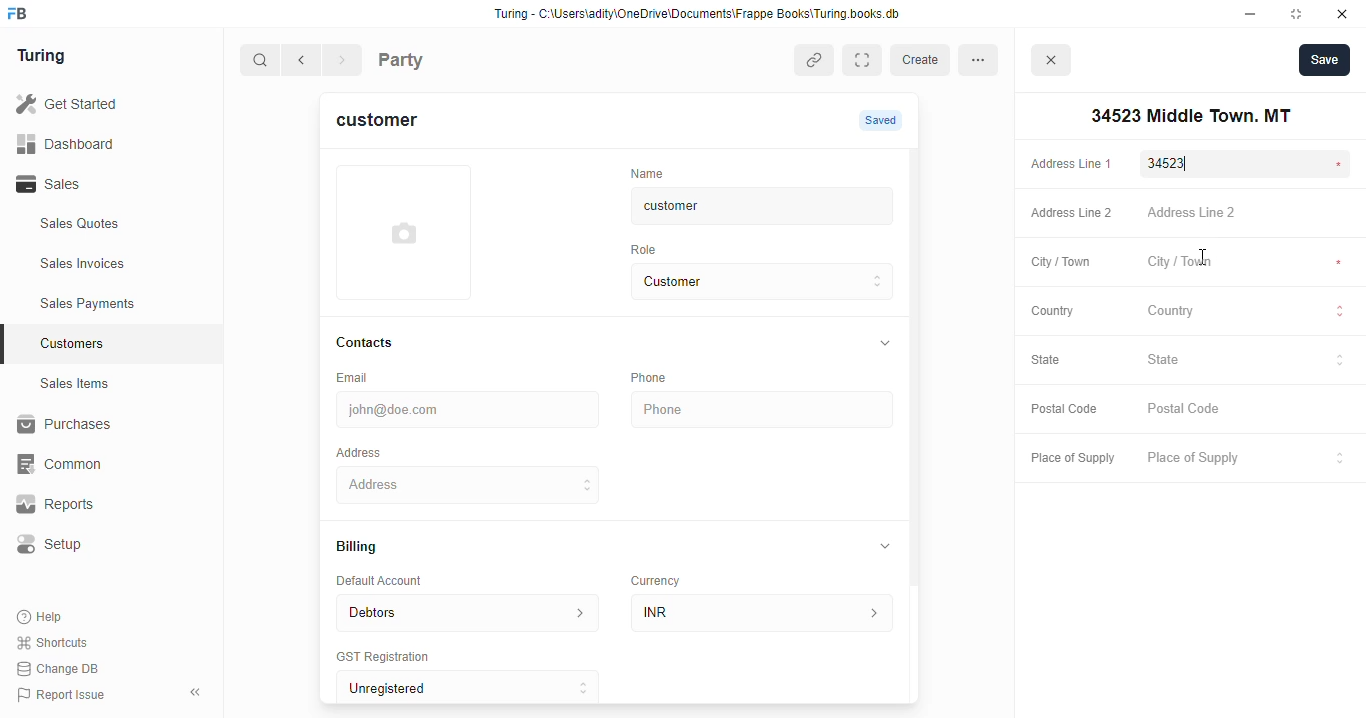 This screenshot has height=718, width=1366. I want to click on Report Issue, so click(65, 693).